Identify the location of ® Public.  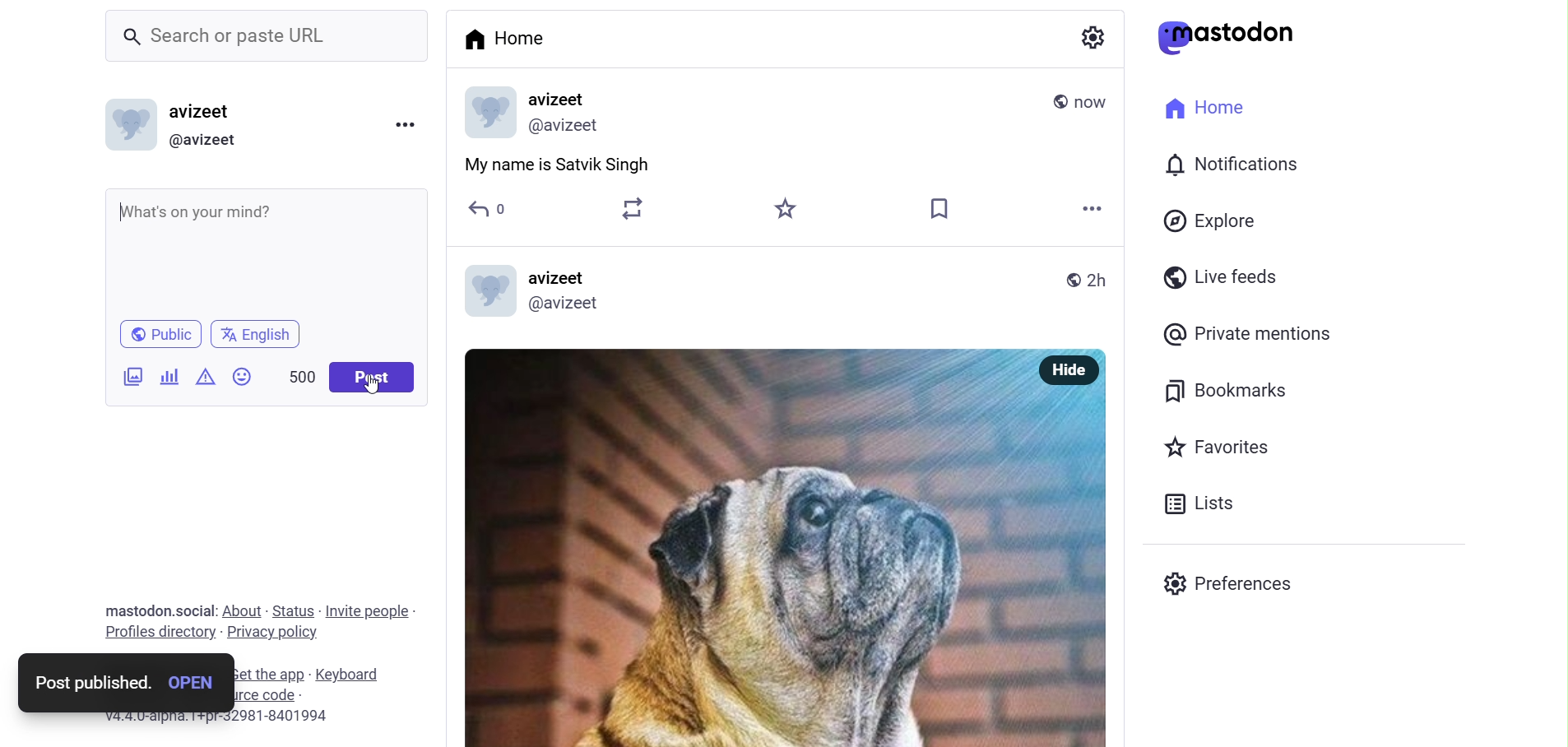
(163, 332).